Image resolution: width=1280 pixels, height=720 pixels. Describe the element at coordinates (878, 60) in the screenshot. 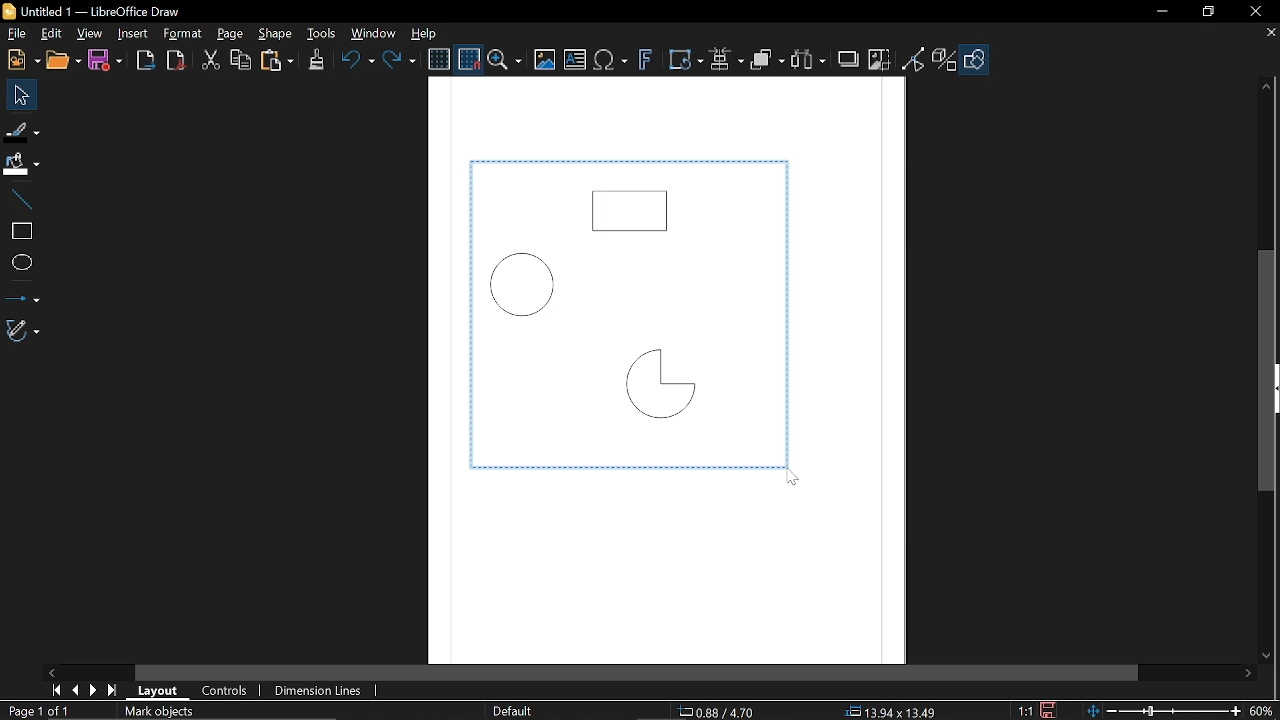

I see `Crop` at that location.